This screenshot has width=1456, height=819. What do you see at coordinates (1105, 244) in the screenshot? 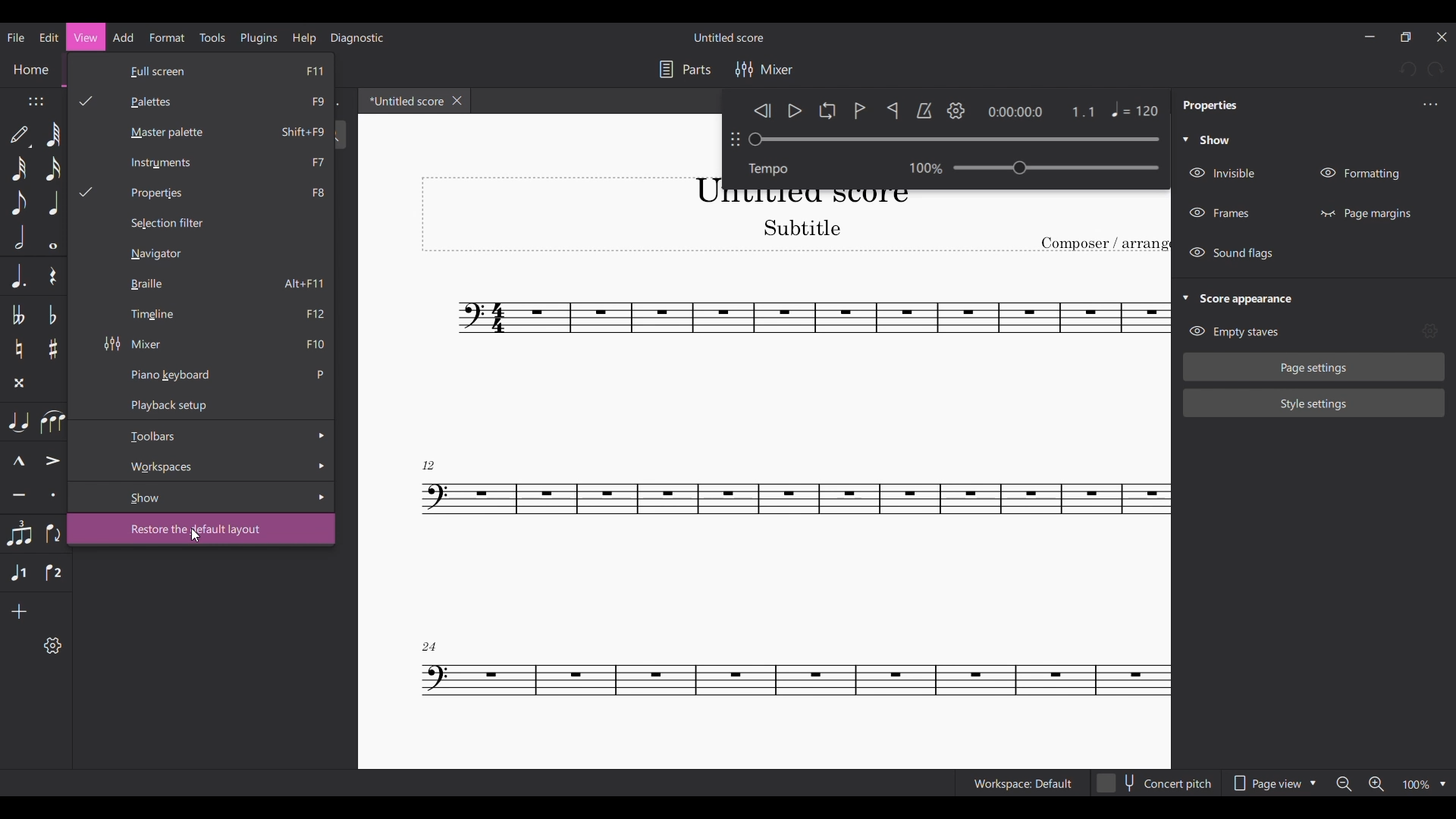
I see `Composer / arrang` at bounding box center [1105, 244].